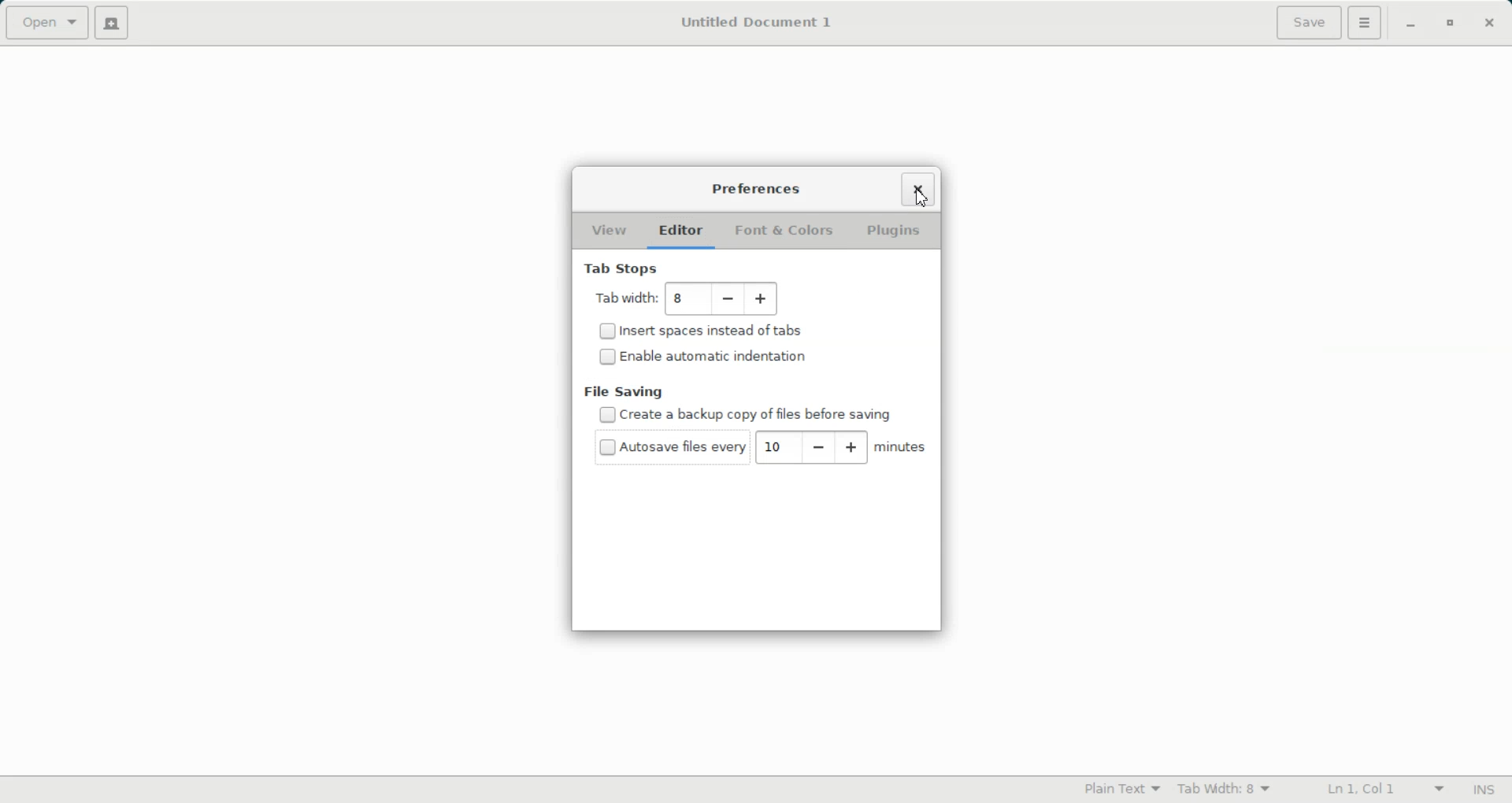 This screenshot has width=1512, height=803. I want to click on View, so click(610, 231).